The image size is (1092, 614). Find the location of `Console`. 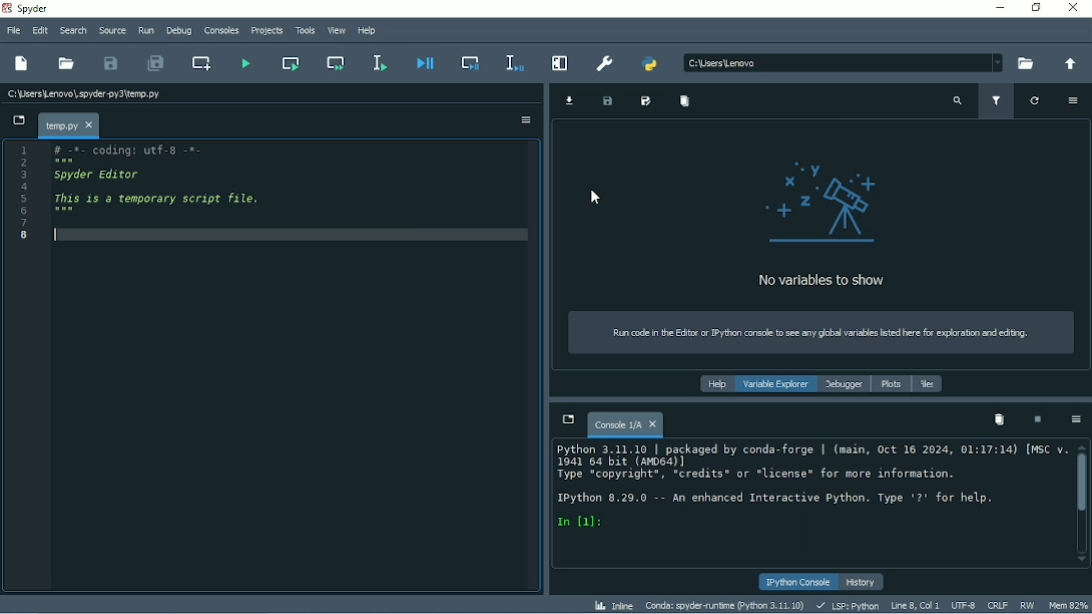

Console is located at coordinates (807, 488).